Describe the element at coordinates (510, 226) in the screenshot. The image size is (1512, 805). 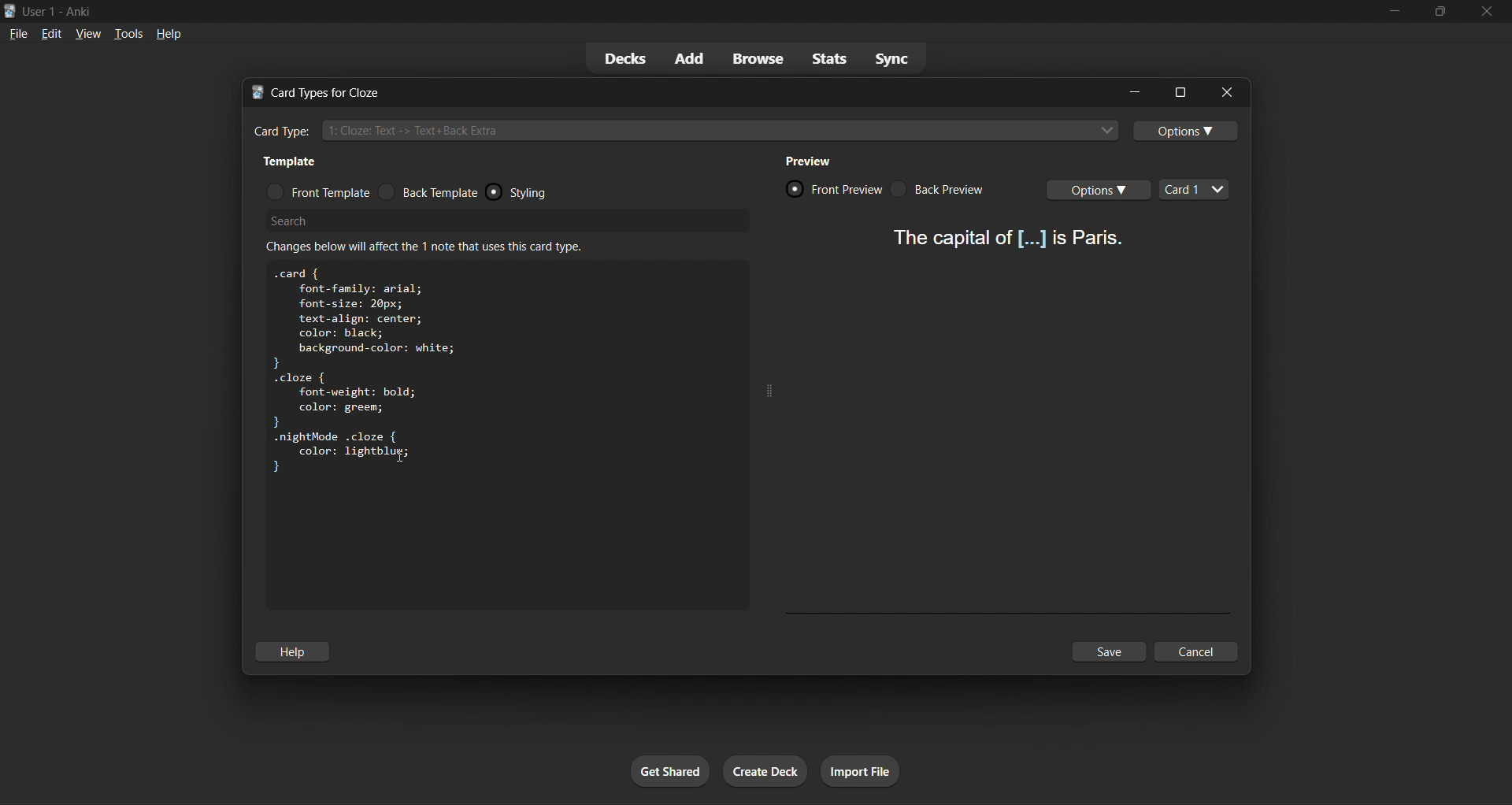
I see `search bar` at that location.